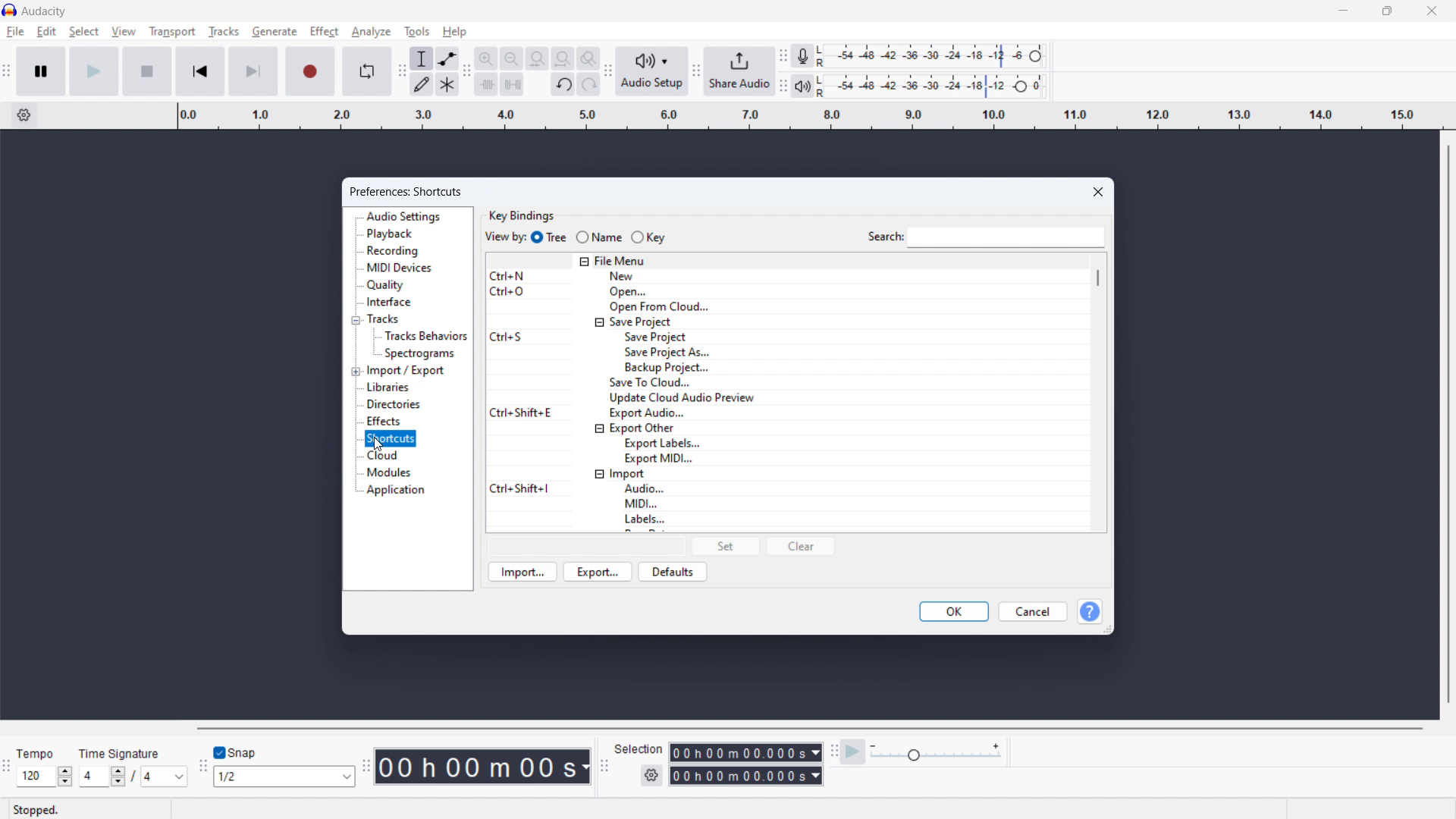  Describe the element at coordinates (396, 251) in the screenshot. I see `recording` at that location.